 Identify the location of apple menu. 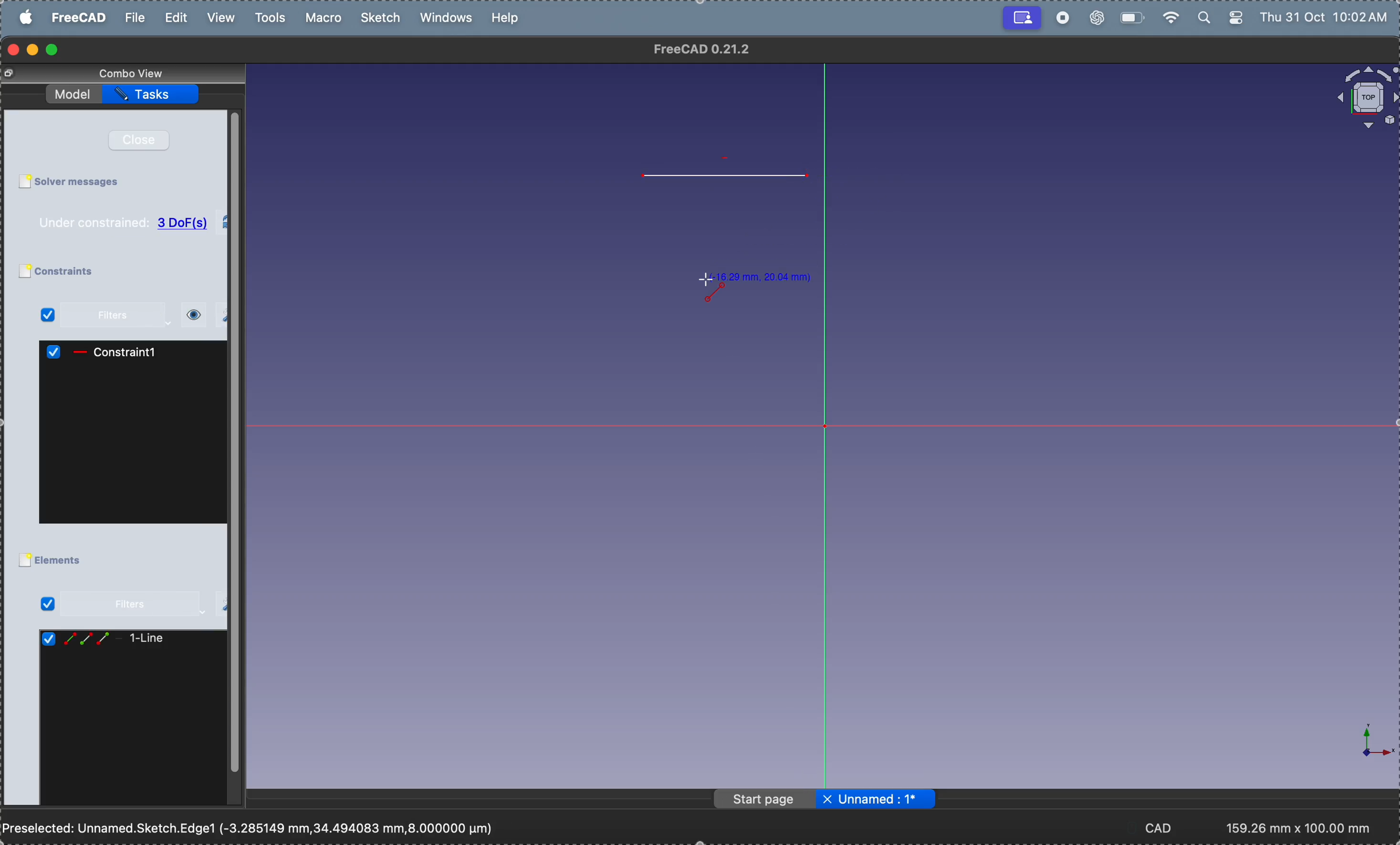
(27, 17).